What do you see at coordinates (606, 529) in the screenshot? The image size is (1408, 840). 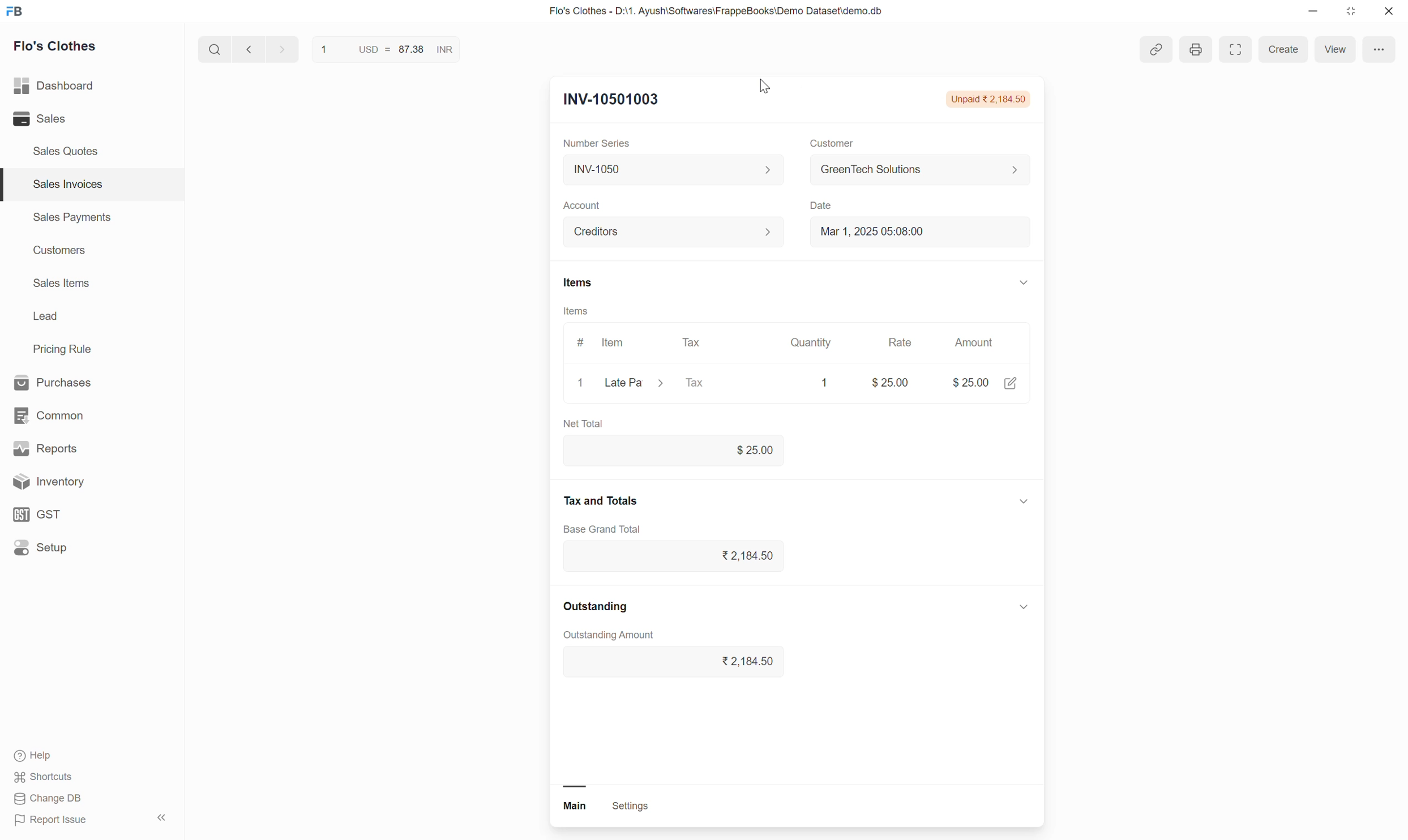 I see `base grand total` at bounding box center [606, 529].